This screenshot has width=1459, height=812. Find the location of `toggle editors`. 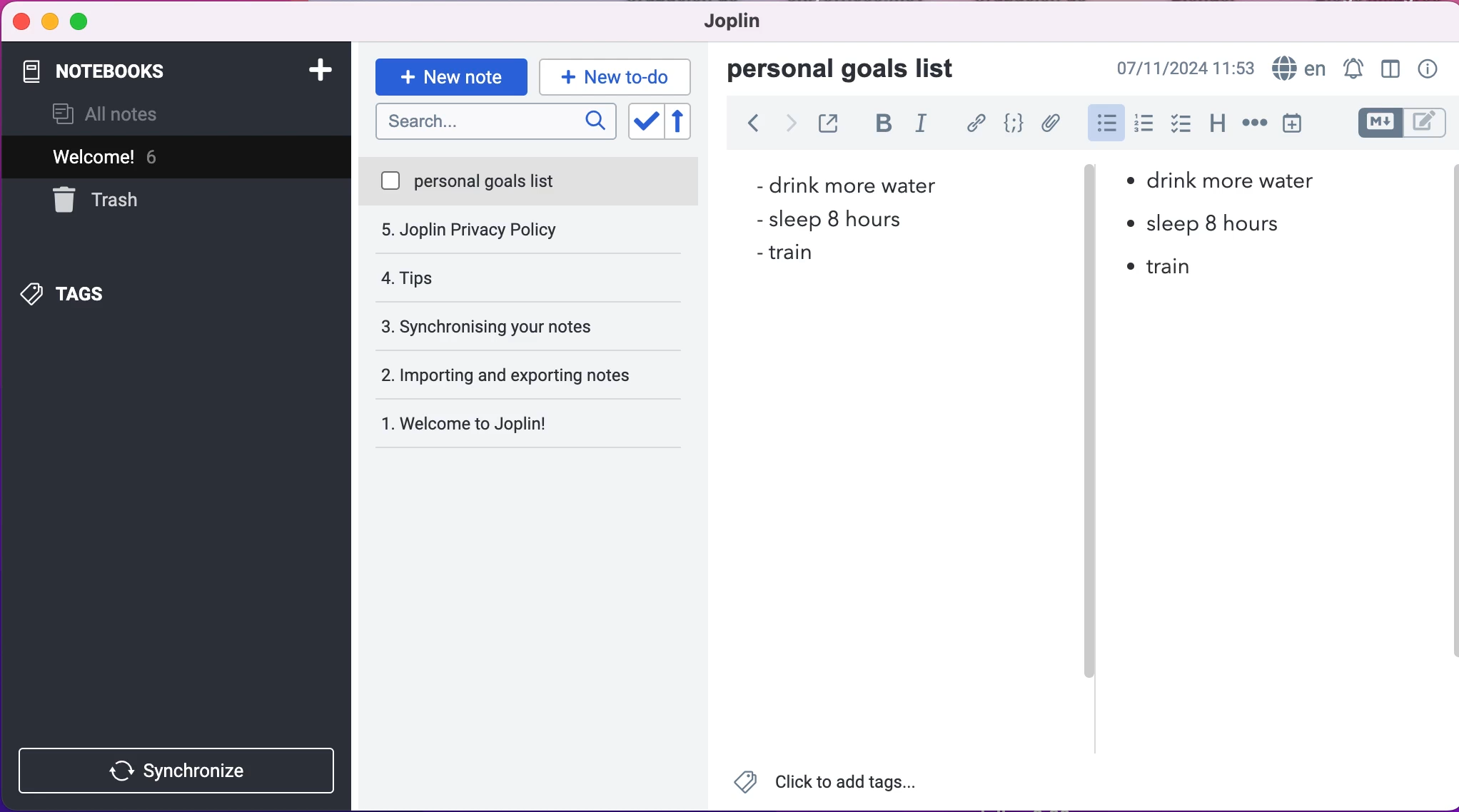

toggle editors is located at coordinates (1389, 123).